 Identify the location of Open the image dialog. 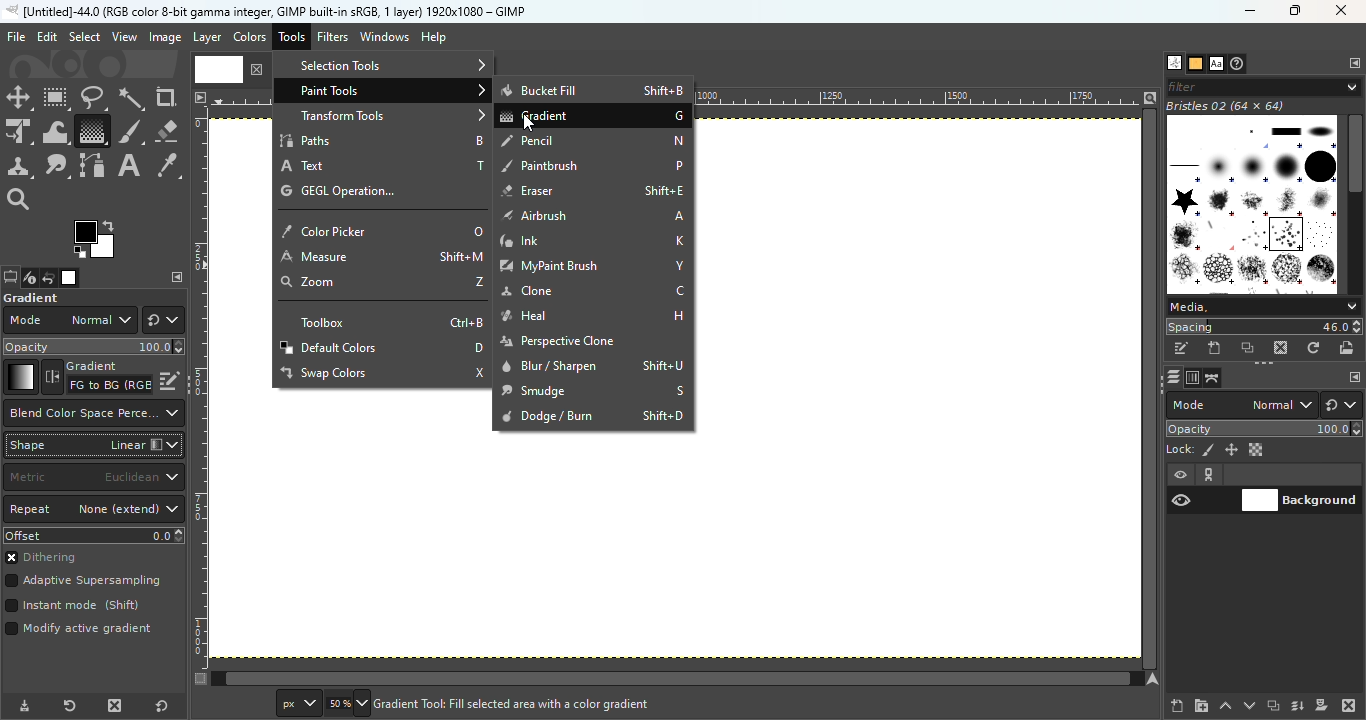
(67, 278).